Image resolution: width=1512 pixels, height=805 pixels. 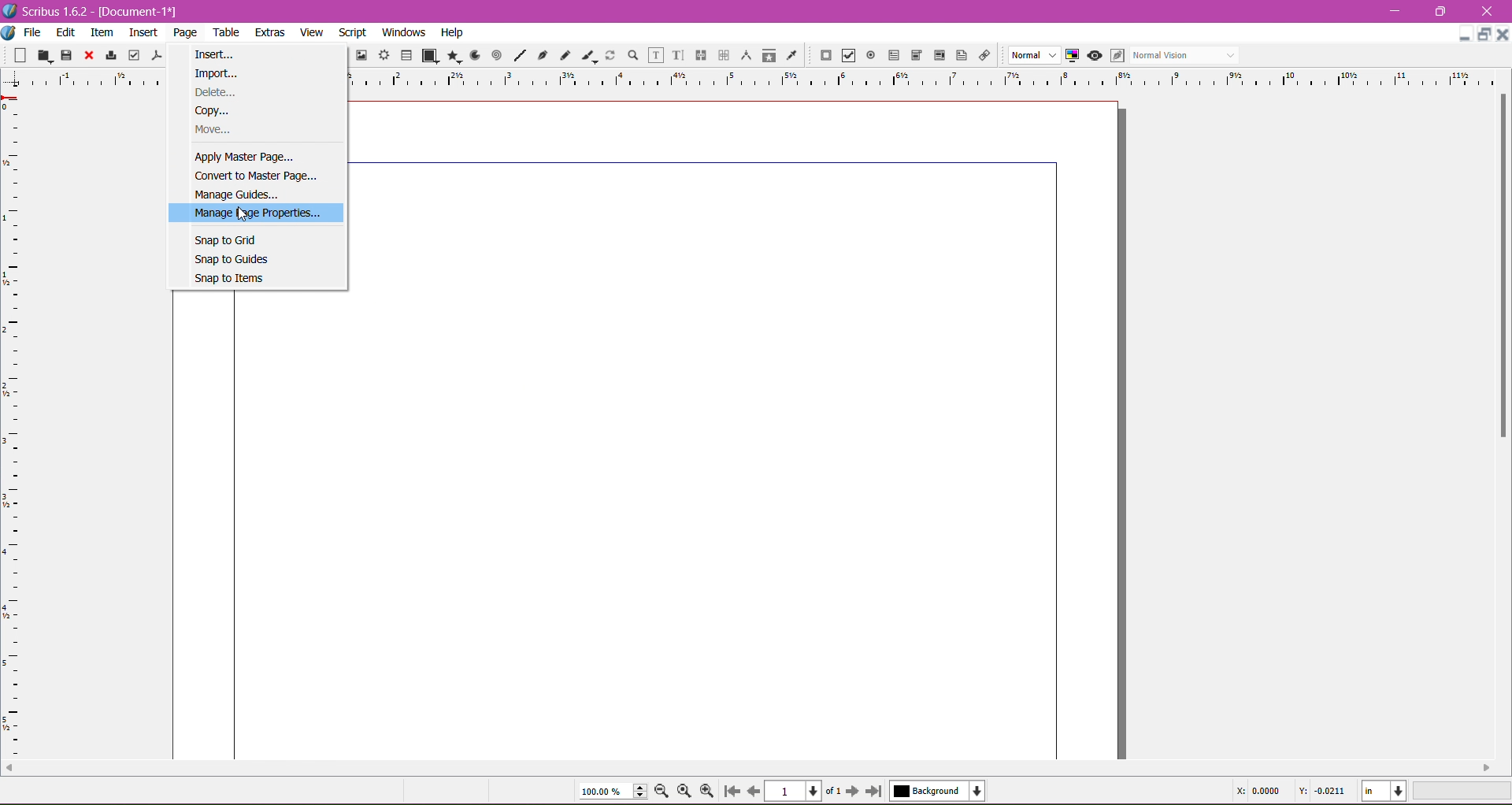 I want to click on Convert to Master Page, so click(x=259, y=178).